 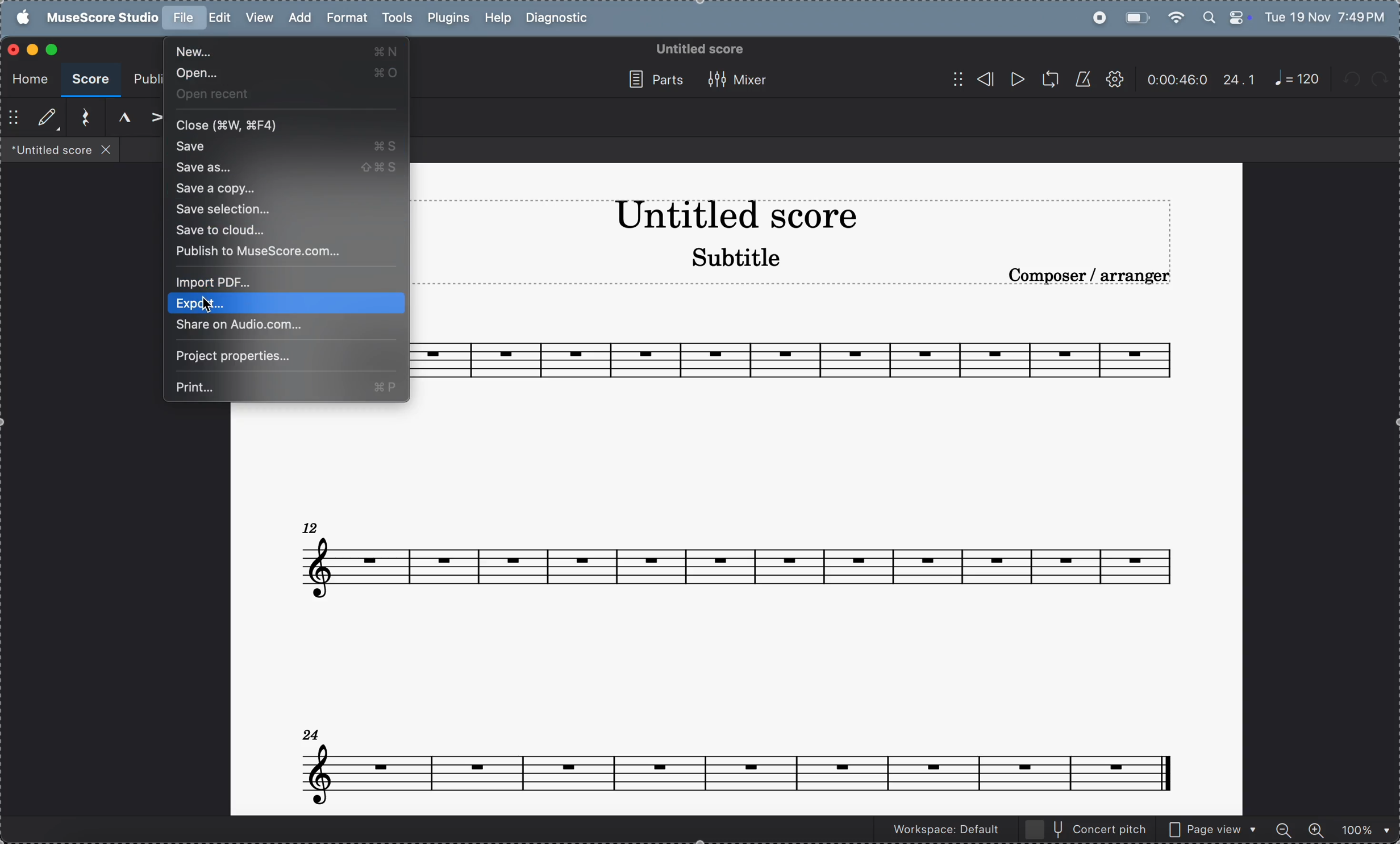 I want to click on save a copy, so click(x=287, y=189).